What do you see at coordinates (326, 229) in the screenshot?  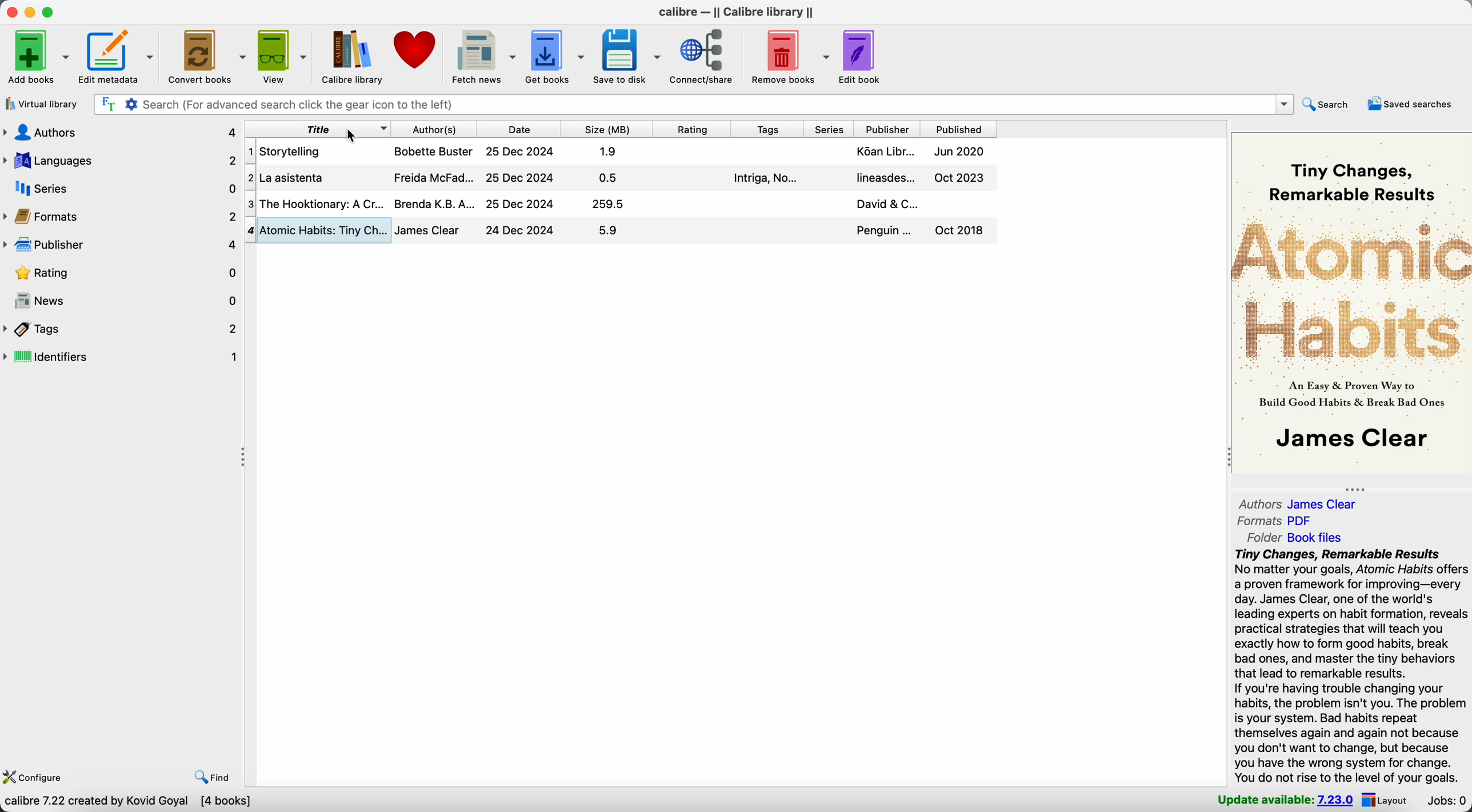 I see `atomic habits: tiny ch...` at bounding box center [326, 229].